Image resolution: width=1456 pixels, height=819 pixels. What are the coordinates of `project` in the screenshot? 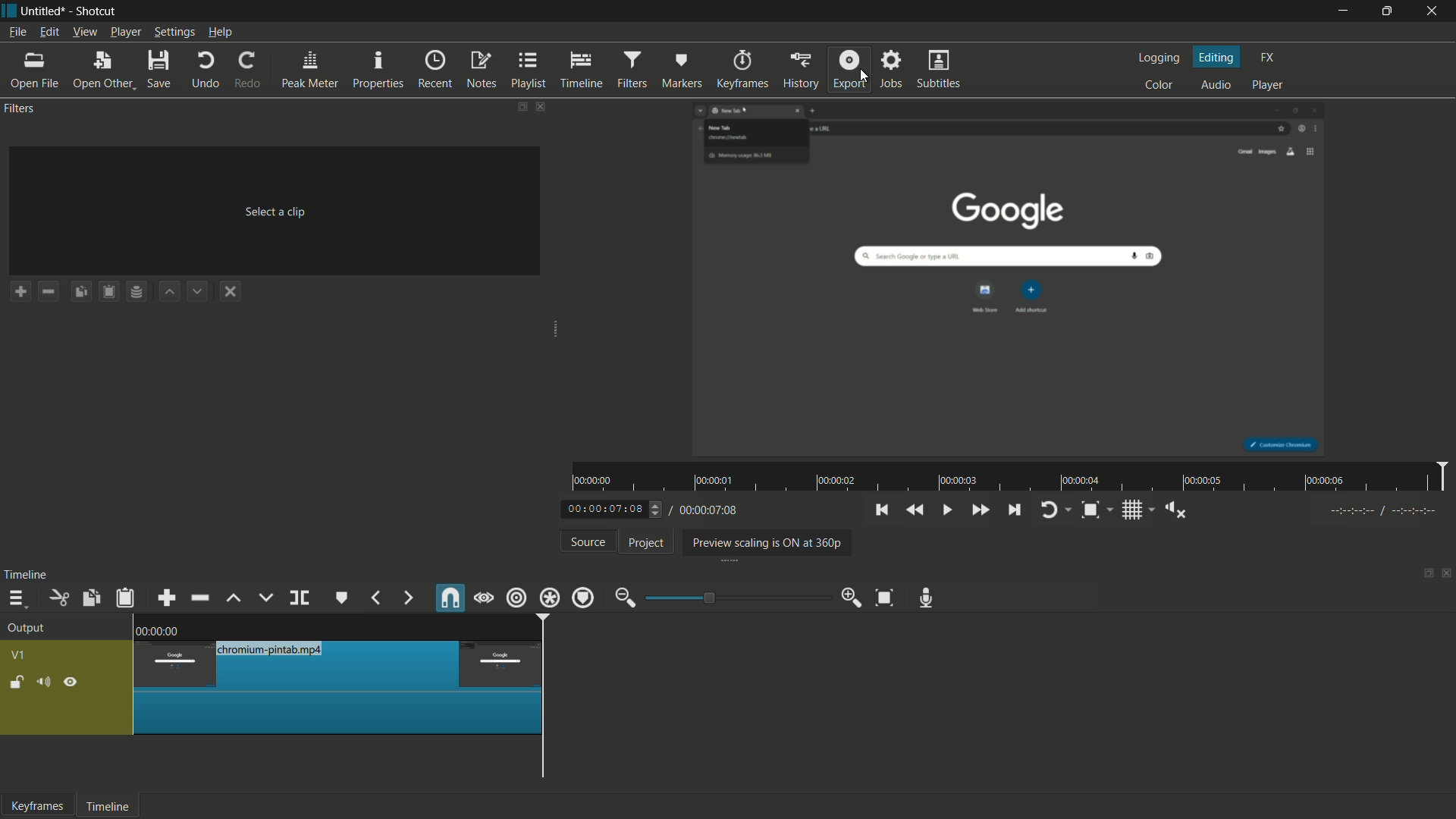 It's located at (647, 543).